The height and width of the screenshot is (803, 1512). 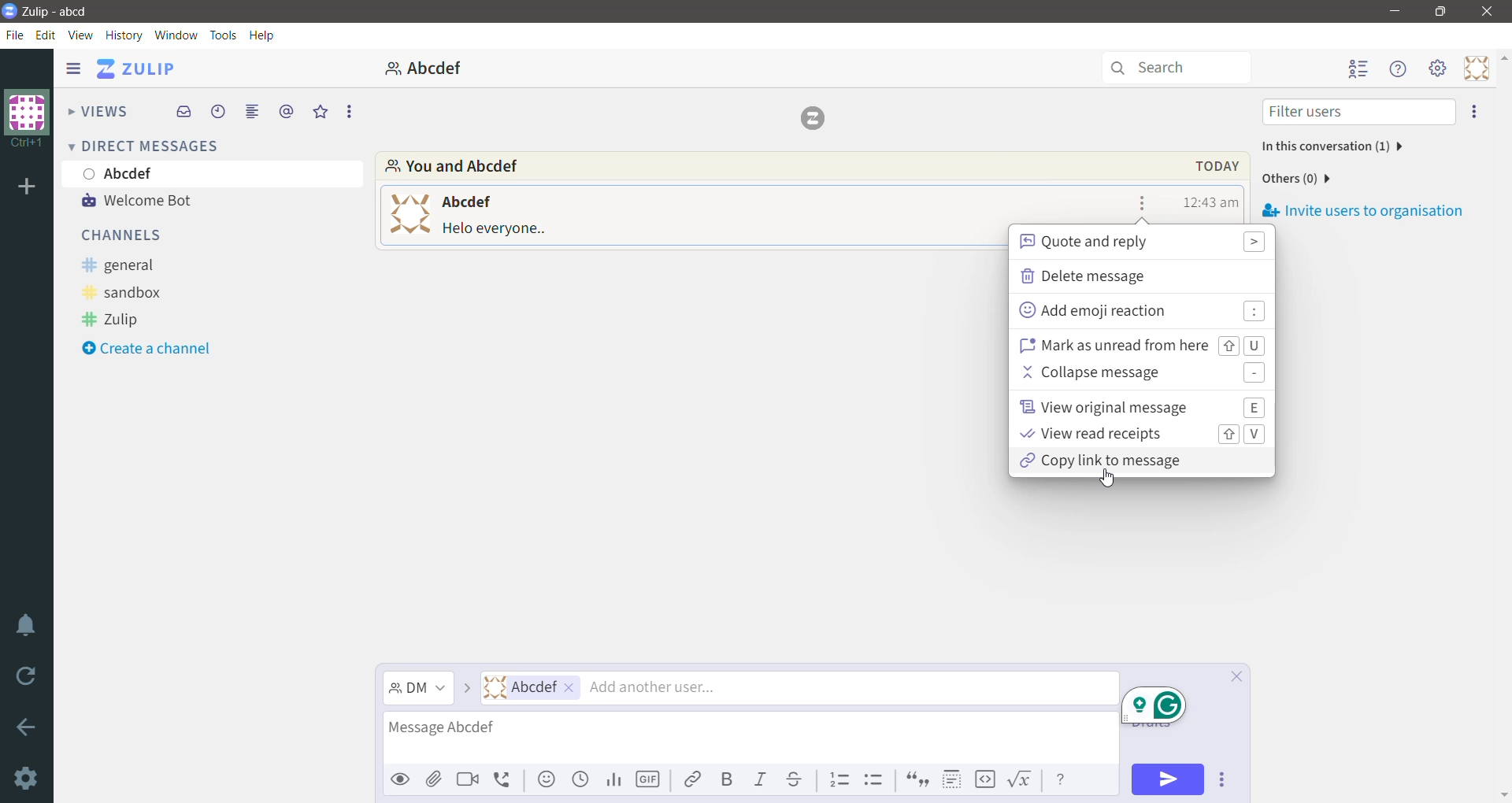 What do you see at coordinates (873, 779) in the screenshot?
I see `Bulleted list` at bounding box center [873, 779].